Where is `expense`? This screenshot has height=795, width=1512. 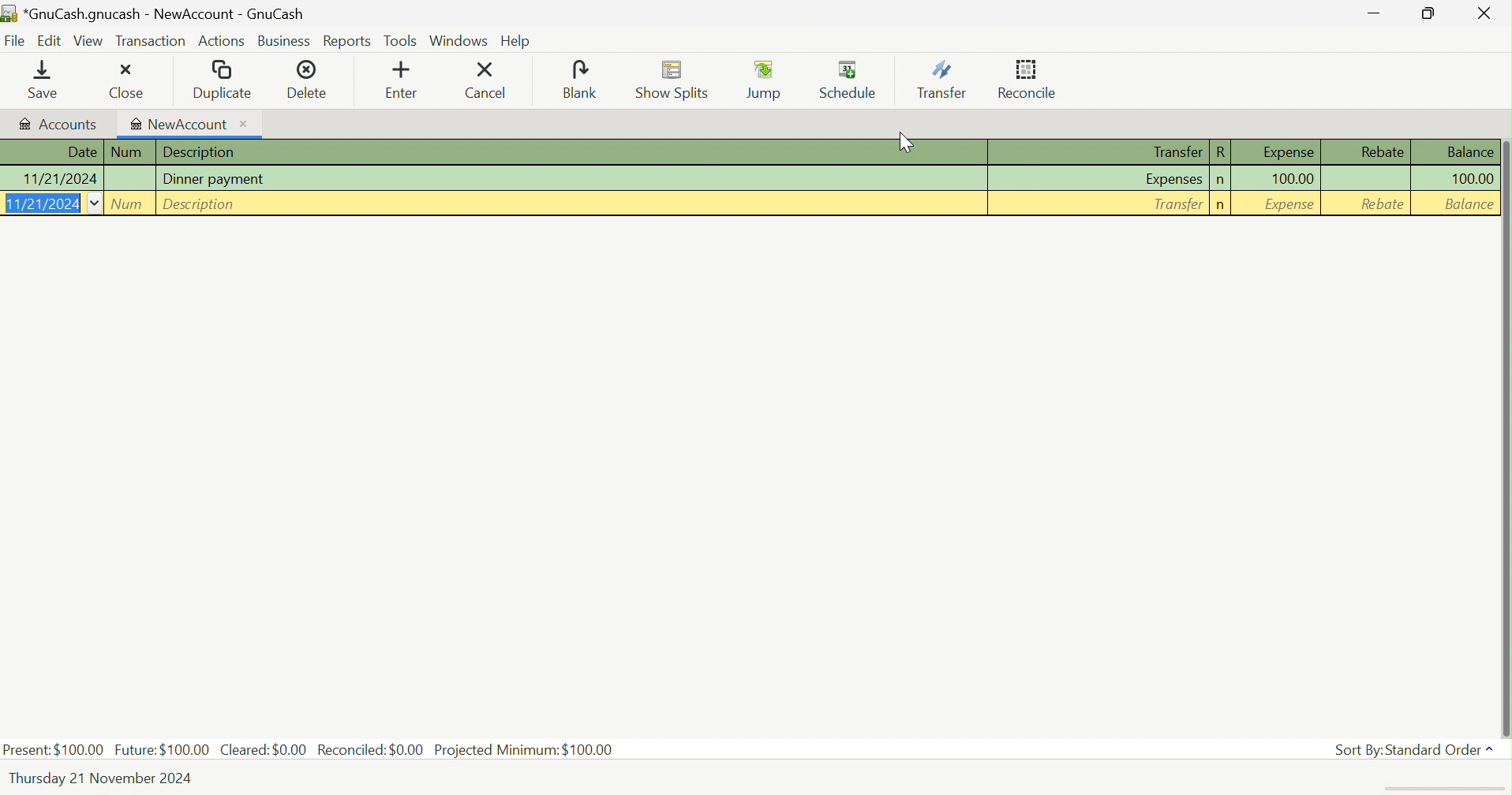 expense is located at coordinates (1291, 208).